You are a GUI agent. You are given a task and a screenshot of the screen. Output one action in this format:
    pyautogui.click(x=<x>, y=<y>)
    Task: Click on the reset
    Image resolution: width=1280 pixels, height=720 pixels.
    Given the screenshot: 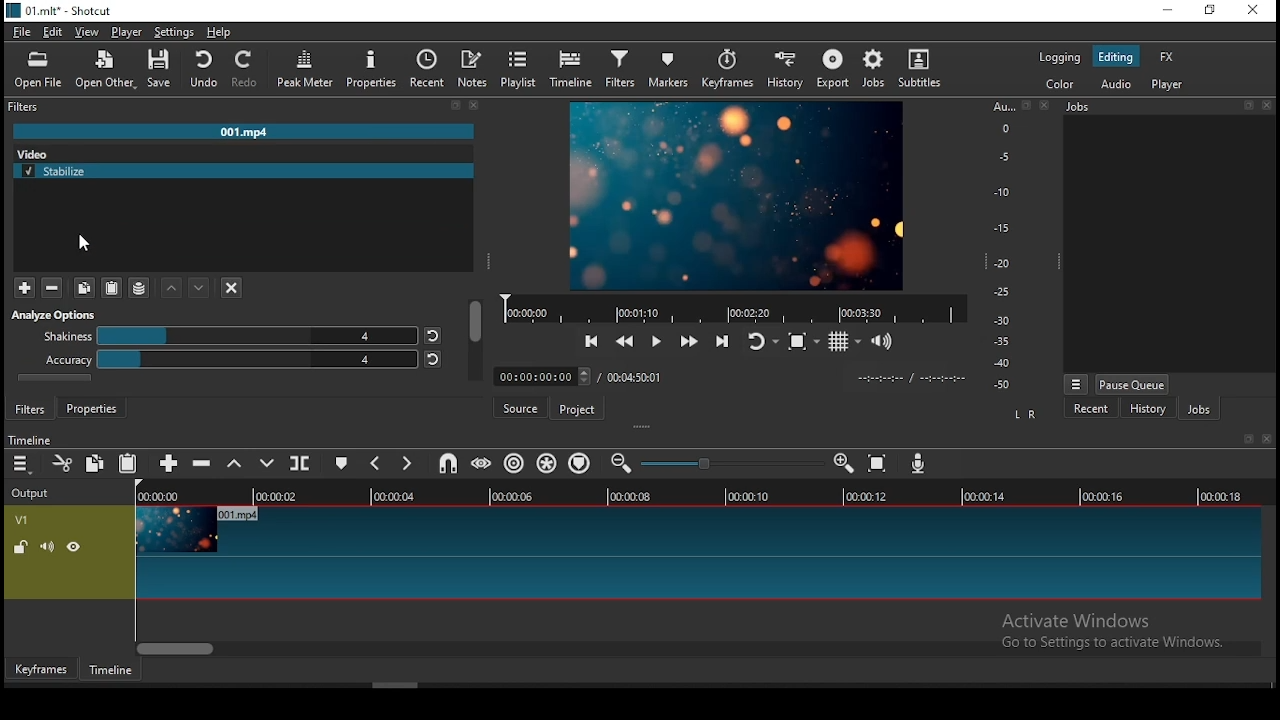 What is the action you would take?
    pyautogui.click(x=432, y=335)
    